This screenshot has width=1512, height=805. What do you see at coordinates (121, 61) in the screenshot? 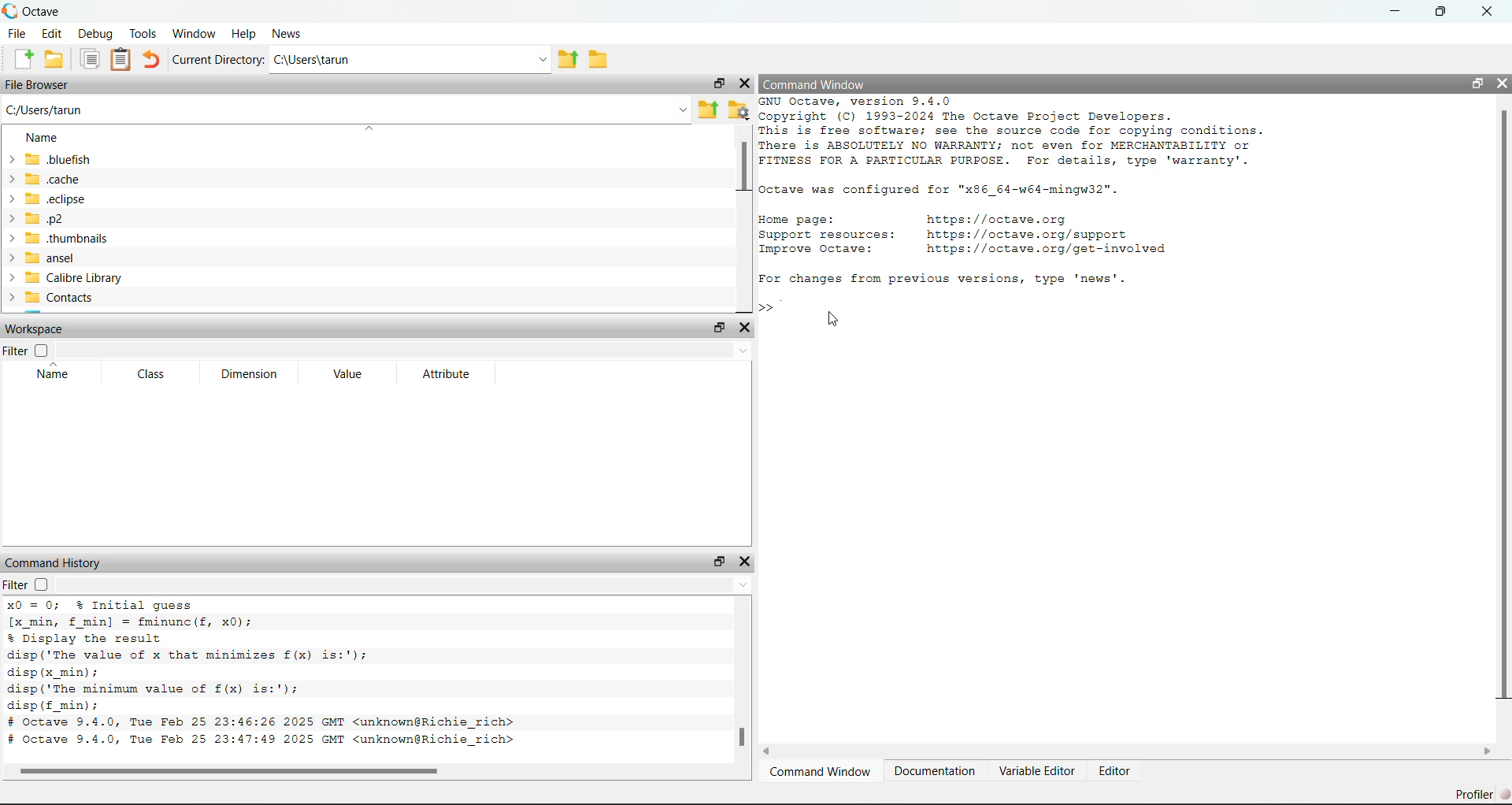
I see `Paste` at bounding box center [121, 61].